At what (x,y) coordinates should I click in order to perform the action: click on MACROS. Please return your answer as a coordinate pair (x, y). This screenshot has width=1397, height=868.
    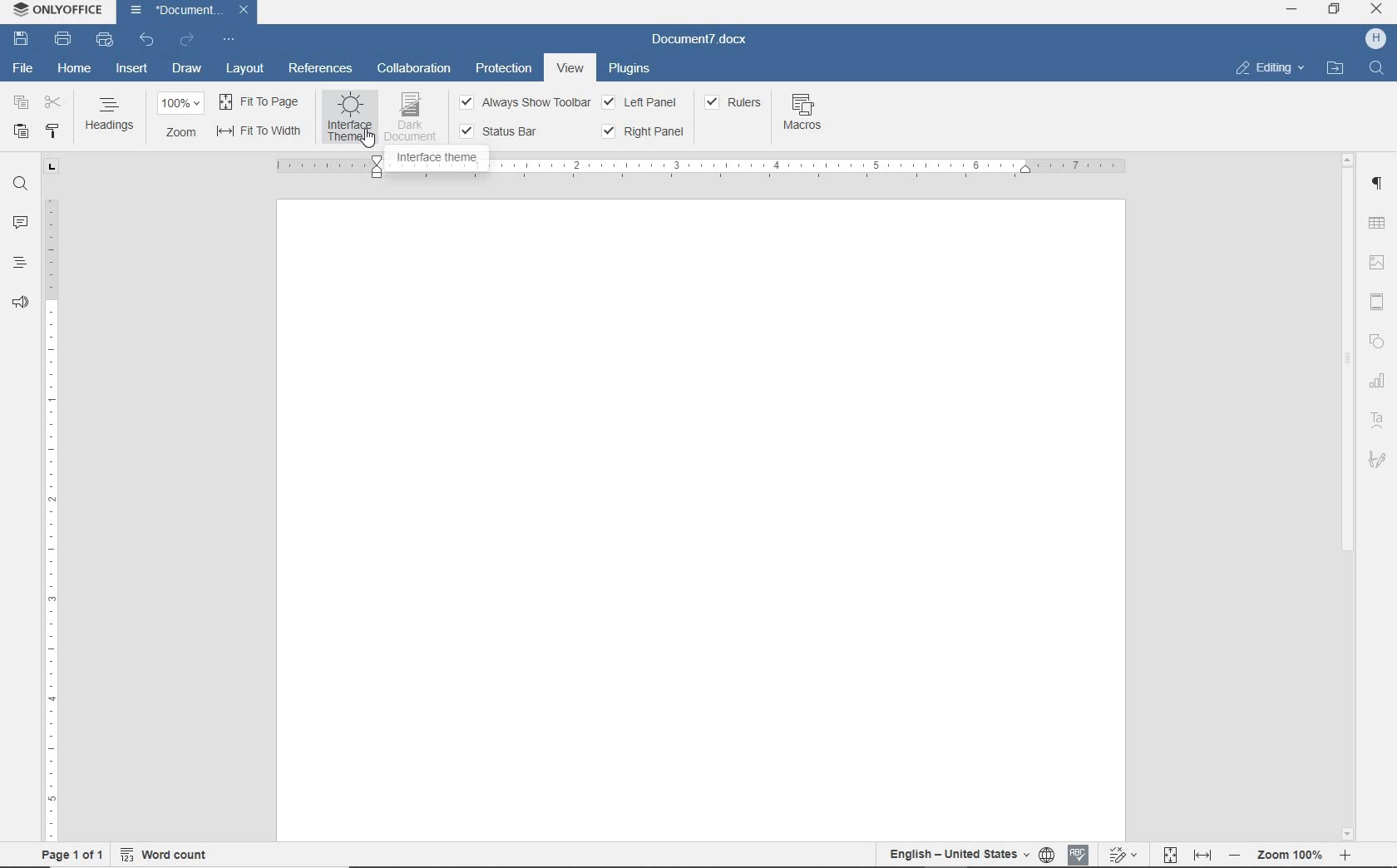
    Looking at the image, I should click on (803, 115).